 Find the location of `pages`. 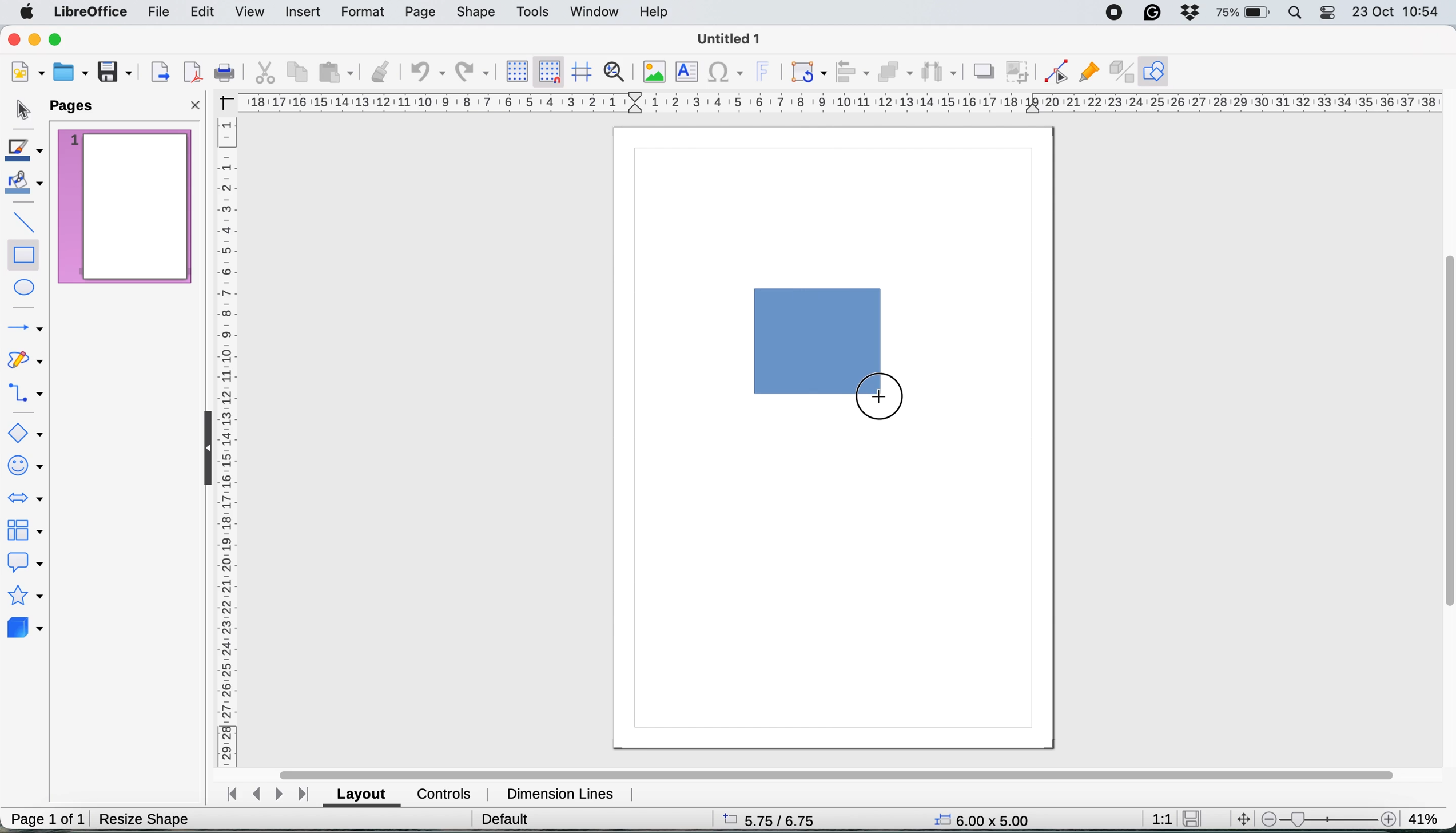

pages is located at coordinates (77, 107).